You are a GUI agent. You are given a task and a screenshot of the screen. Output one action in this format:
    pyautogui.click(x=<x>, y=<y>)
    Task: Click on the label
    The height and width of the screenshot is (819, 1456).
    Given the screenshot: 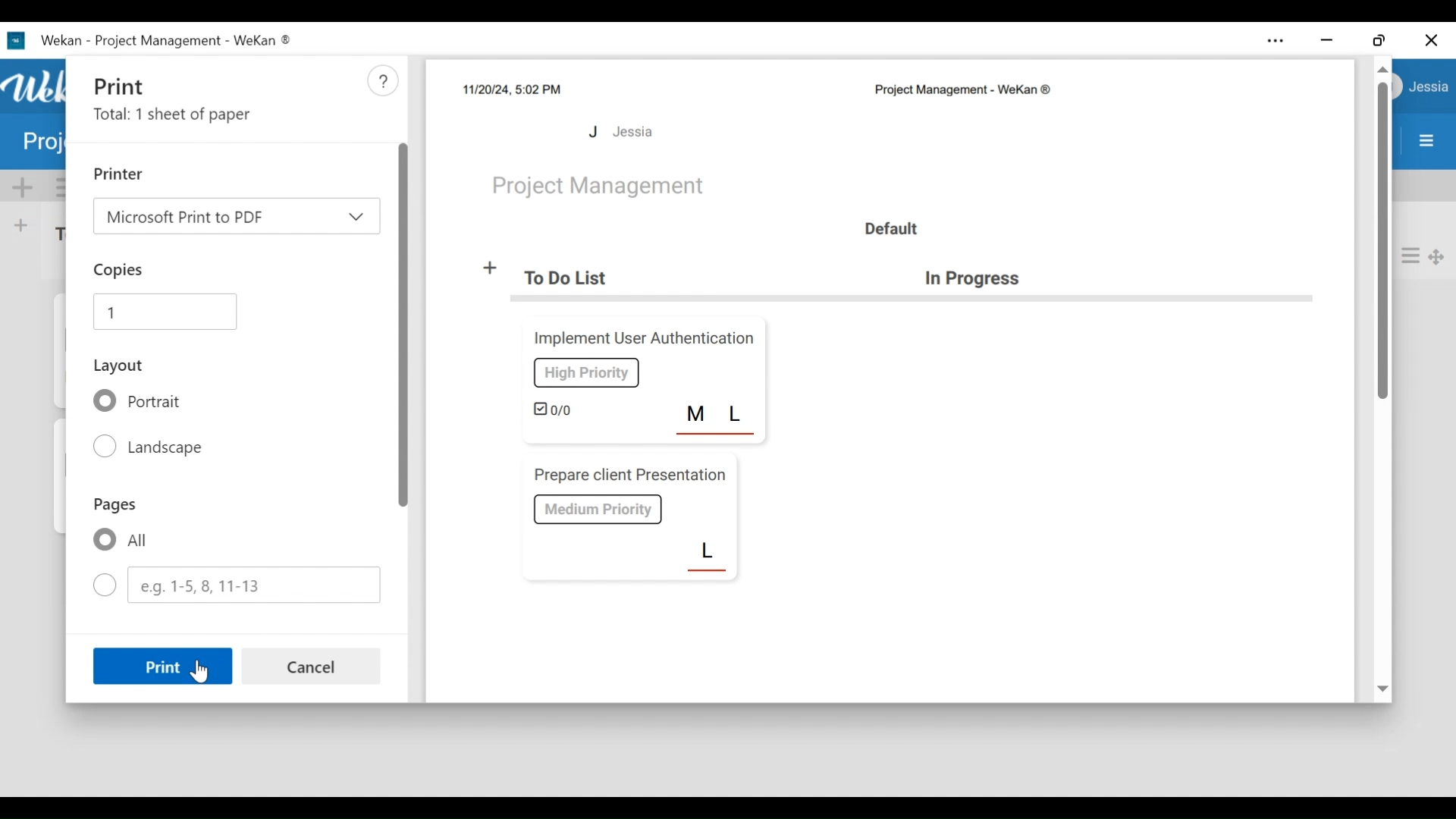 What is the action you would take?
    pyautogui.click(x=586, y=372)
    